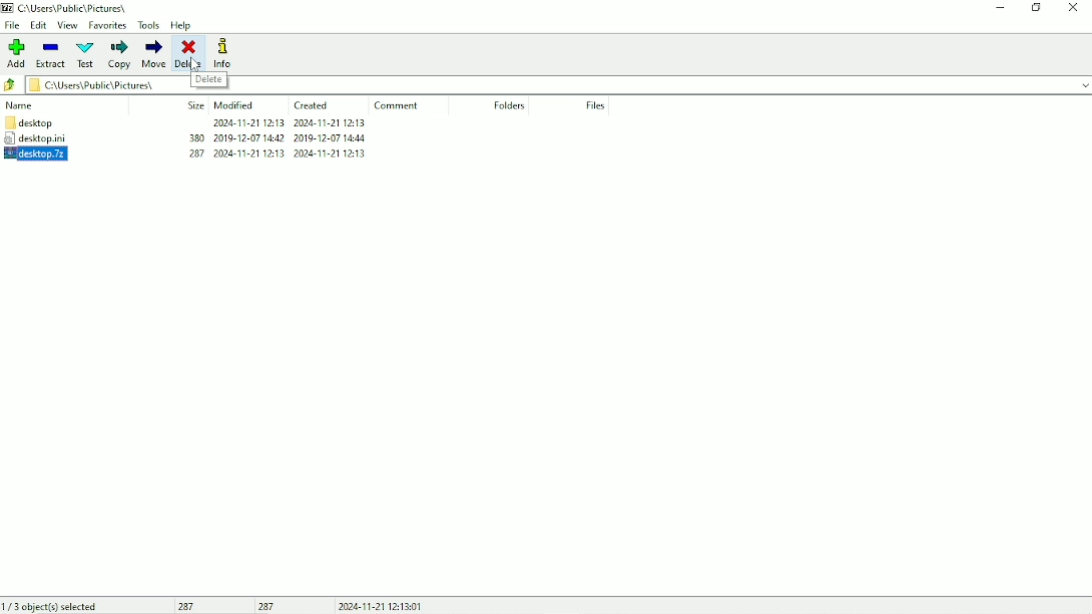 This screenshot has width=1092, height=614. Describe the element at coordinates (39, 25) in the screenshot. I see `Edit` at that location.